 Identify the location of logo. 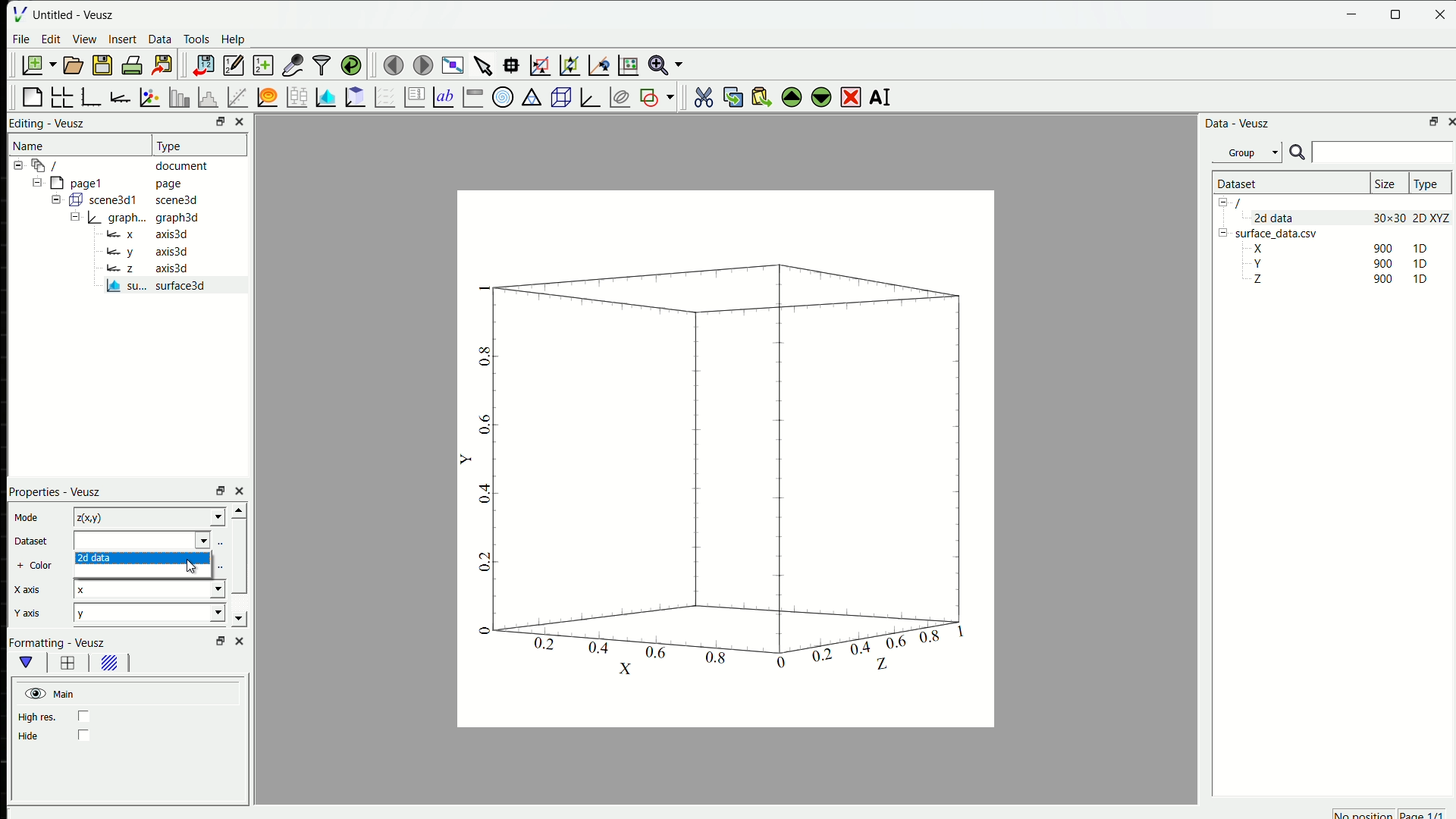
(20, 14).